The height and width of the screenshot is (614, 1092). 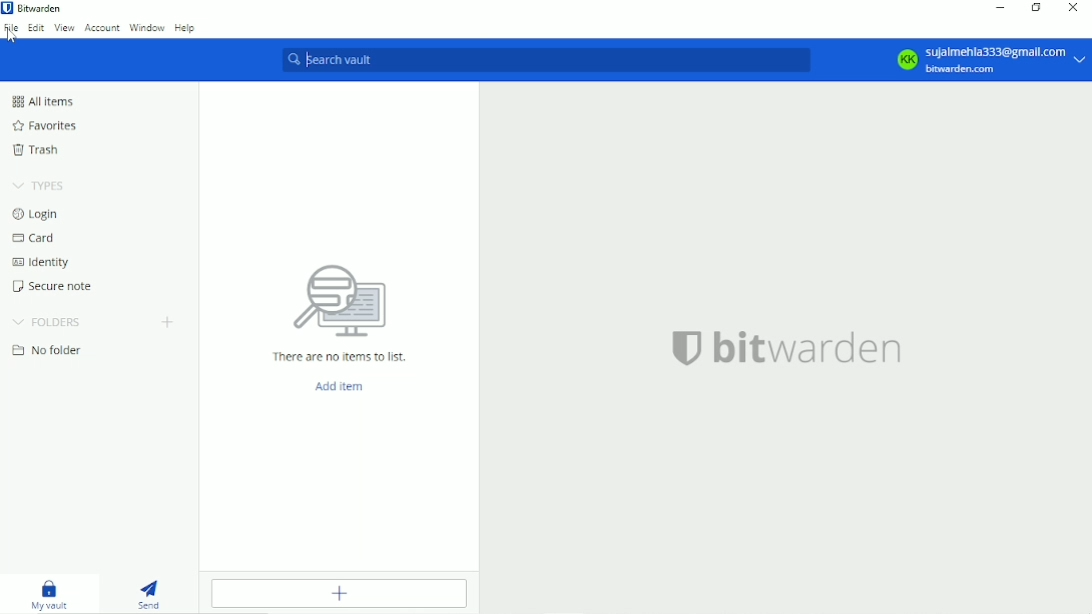 What do you see at coordinates (545, 59) in the screenshot?
I see `Search vault` at bounding box center [545, 59].